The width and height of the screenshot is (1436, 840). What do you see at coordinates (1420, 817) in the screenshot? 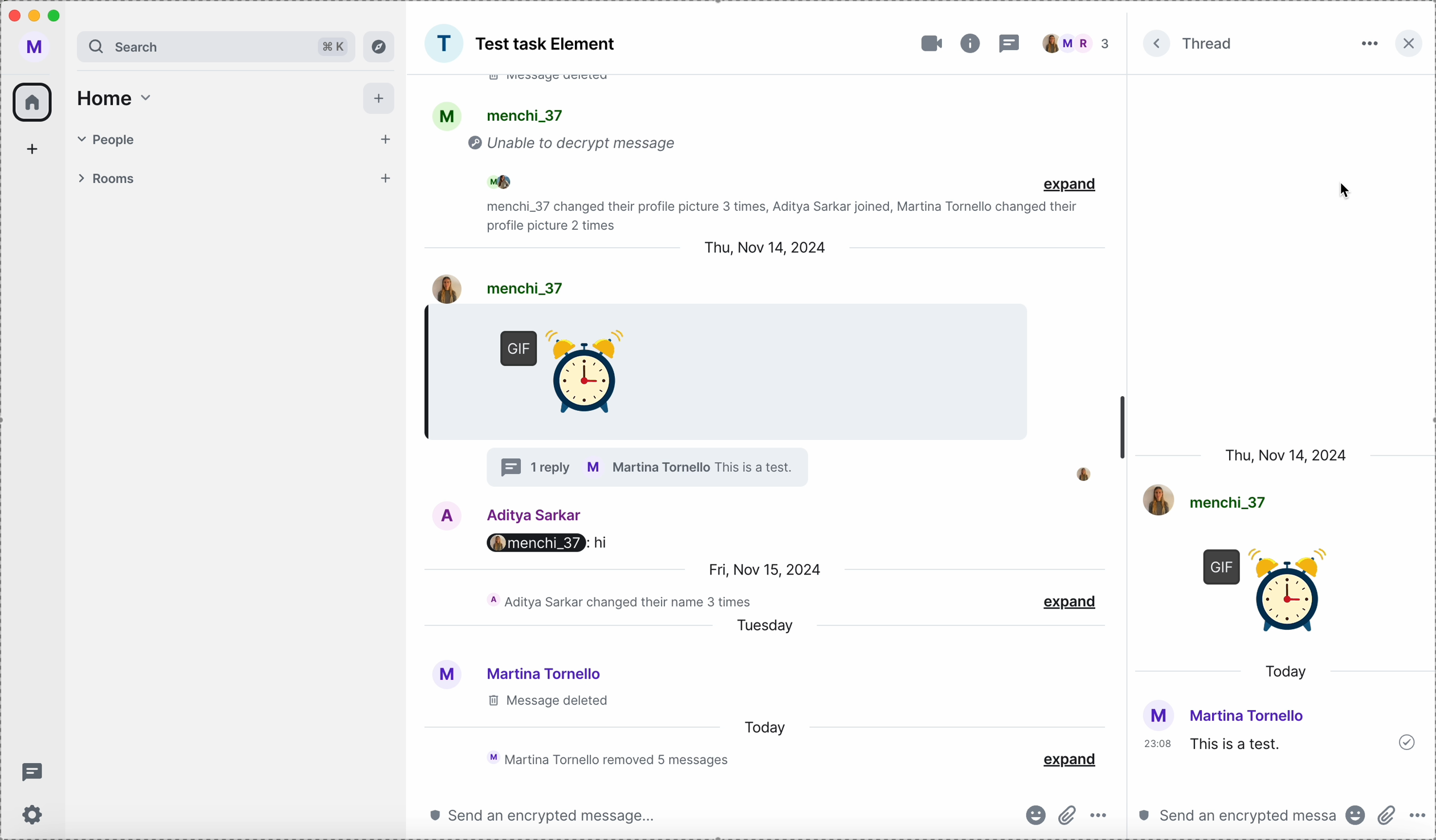
I see `more options` at bounding box center [1420, 817].